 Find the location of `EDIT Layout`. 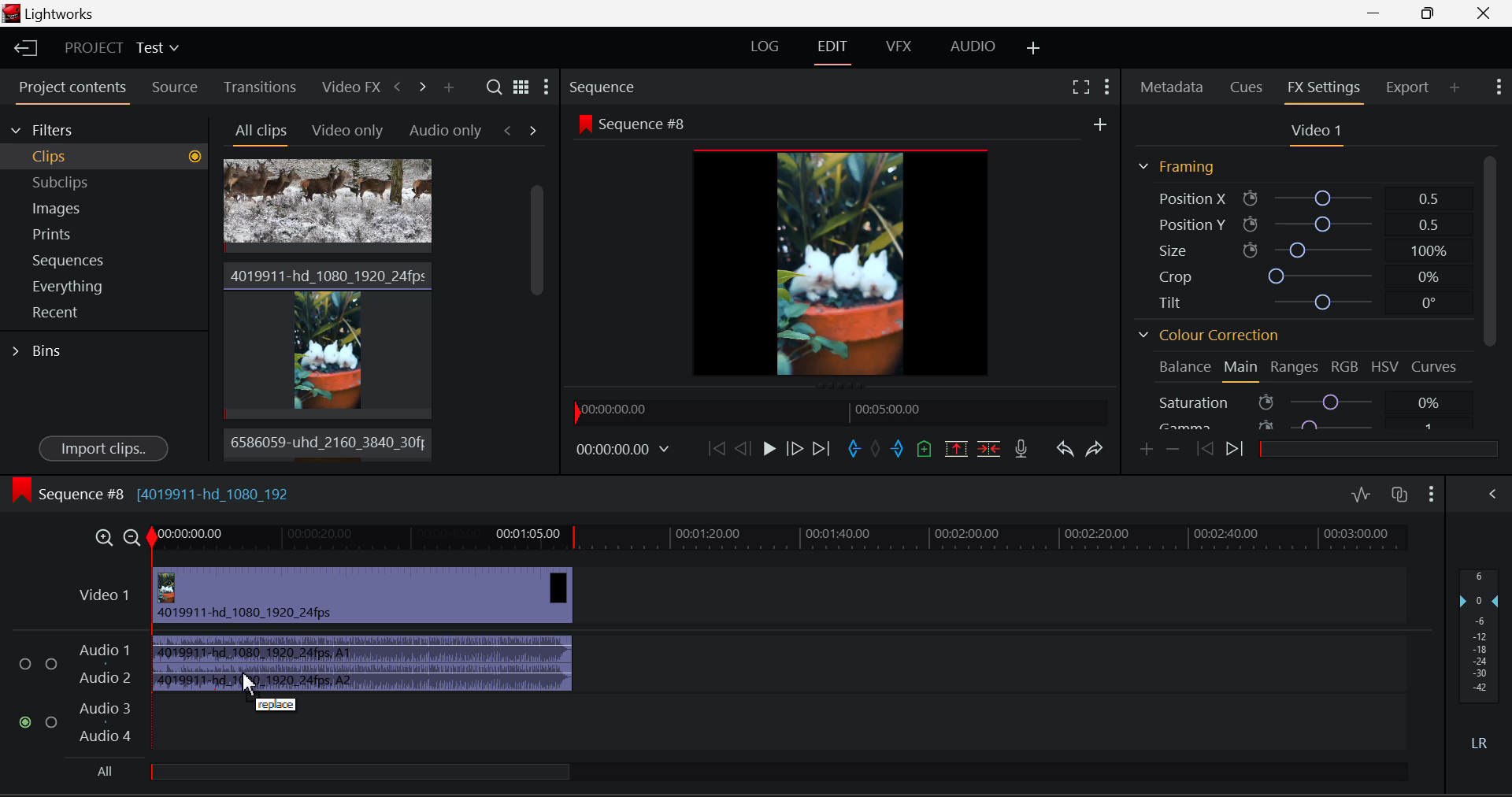

EDIT Layout is located at coordinates (833, 49).